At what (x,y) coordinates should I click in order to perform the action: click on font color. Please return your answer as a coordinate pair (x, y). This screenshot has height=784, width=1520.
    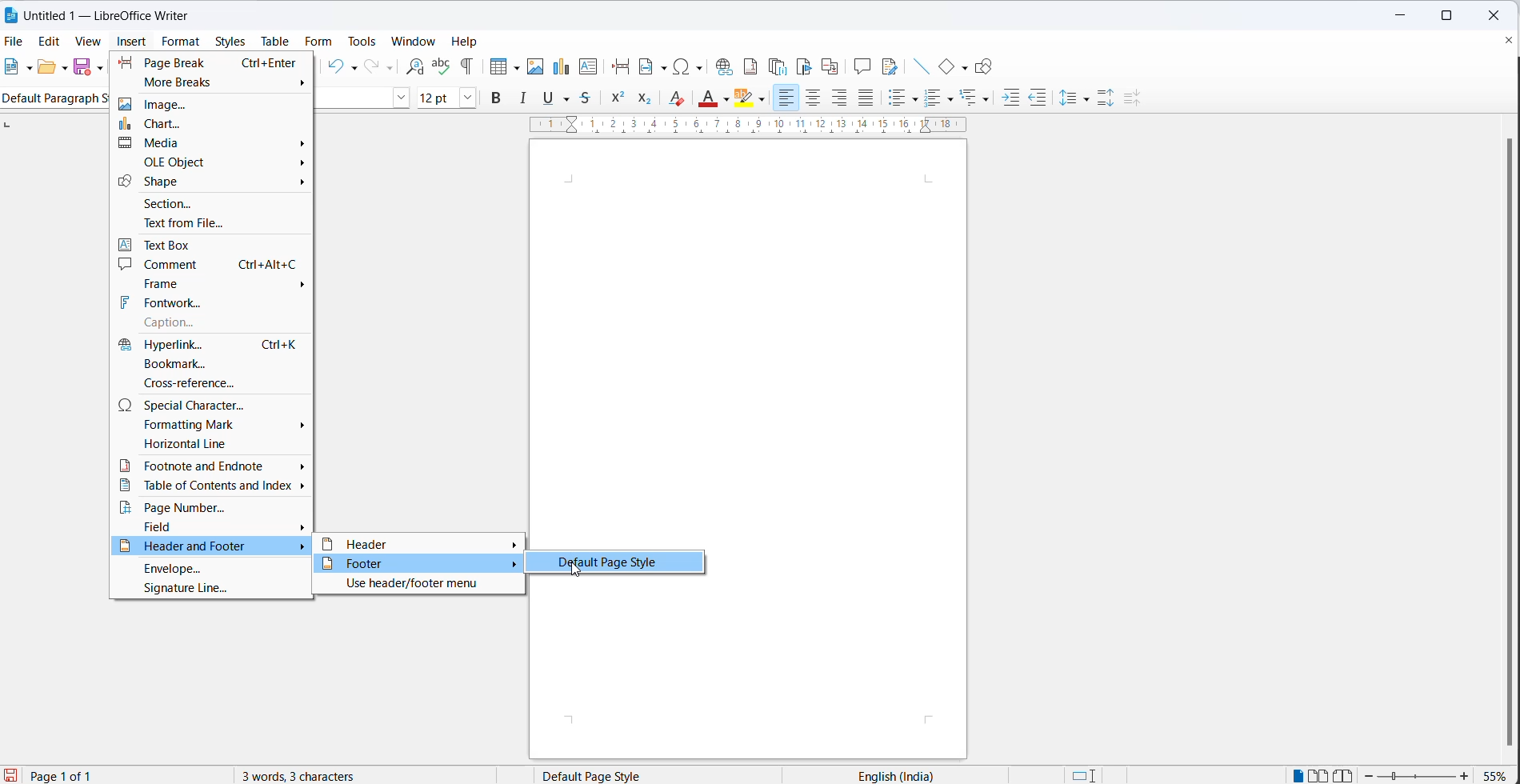
    Looking at the image, I should click on (708, 101).